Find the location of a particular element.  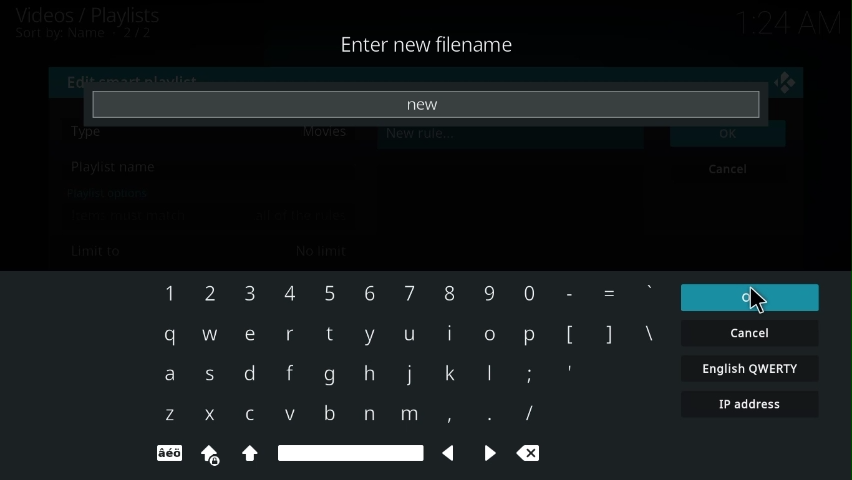

0 is located at coordinates (529, 294).